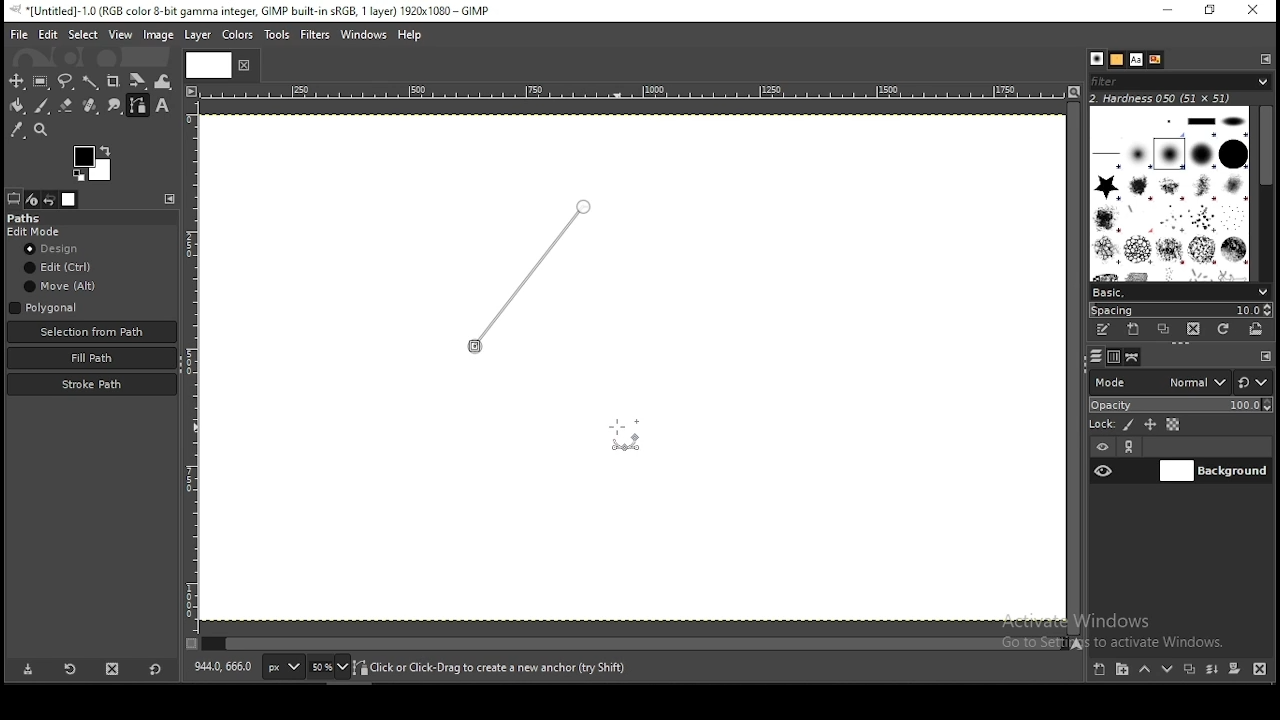 This screenshot has height=720, width=1280. I want to click on colors, so click(88, 162).